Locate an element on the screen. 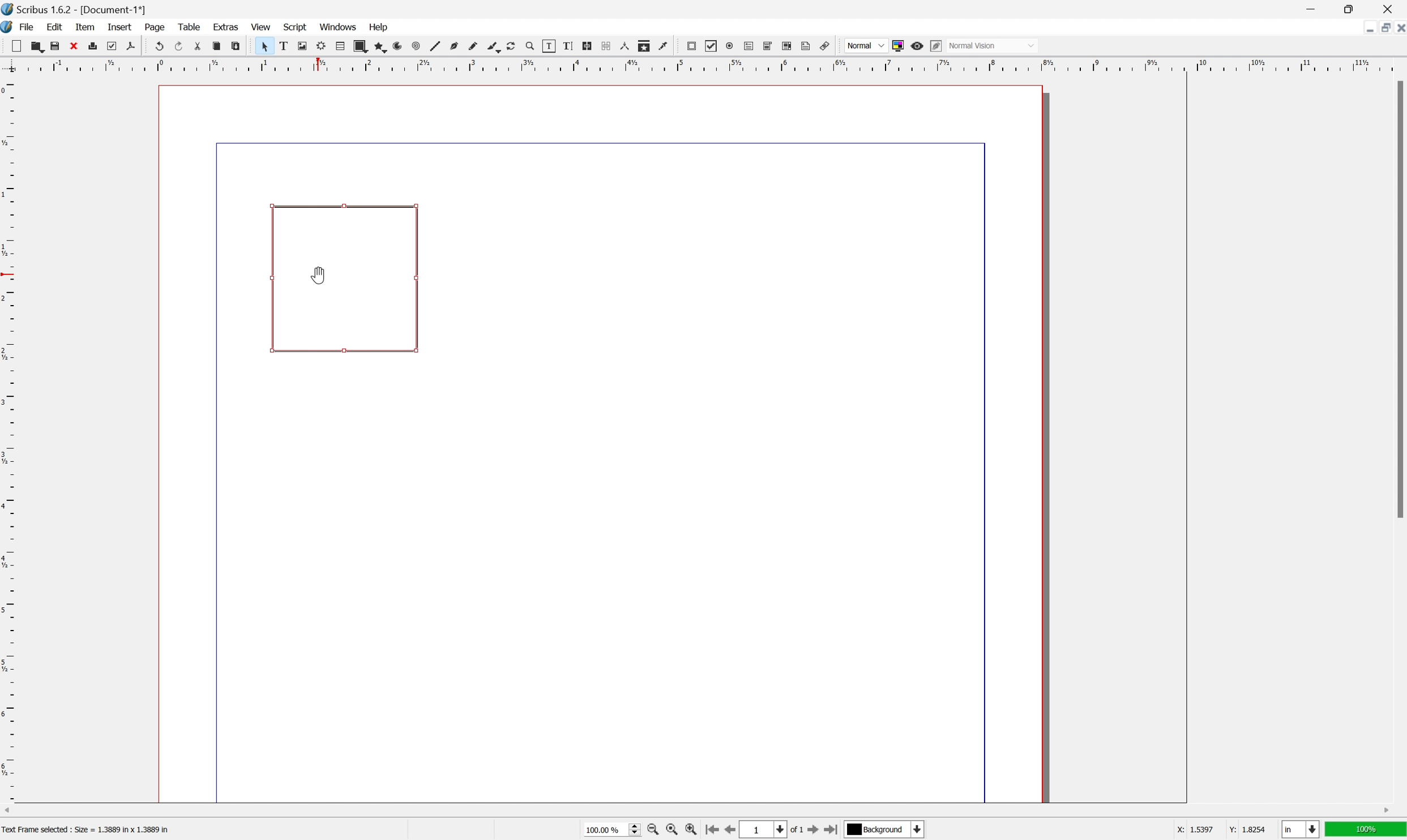 This screenshot has height=840, width=1407. pdf list box is located at coordinates (786, 45).